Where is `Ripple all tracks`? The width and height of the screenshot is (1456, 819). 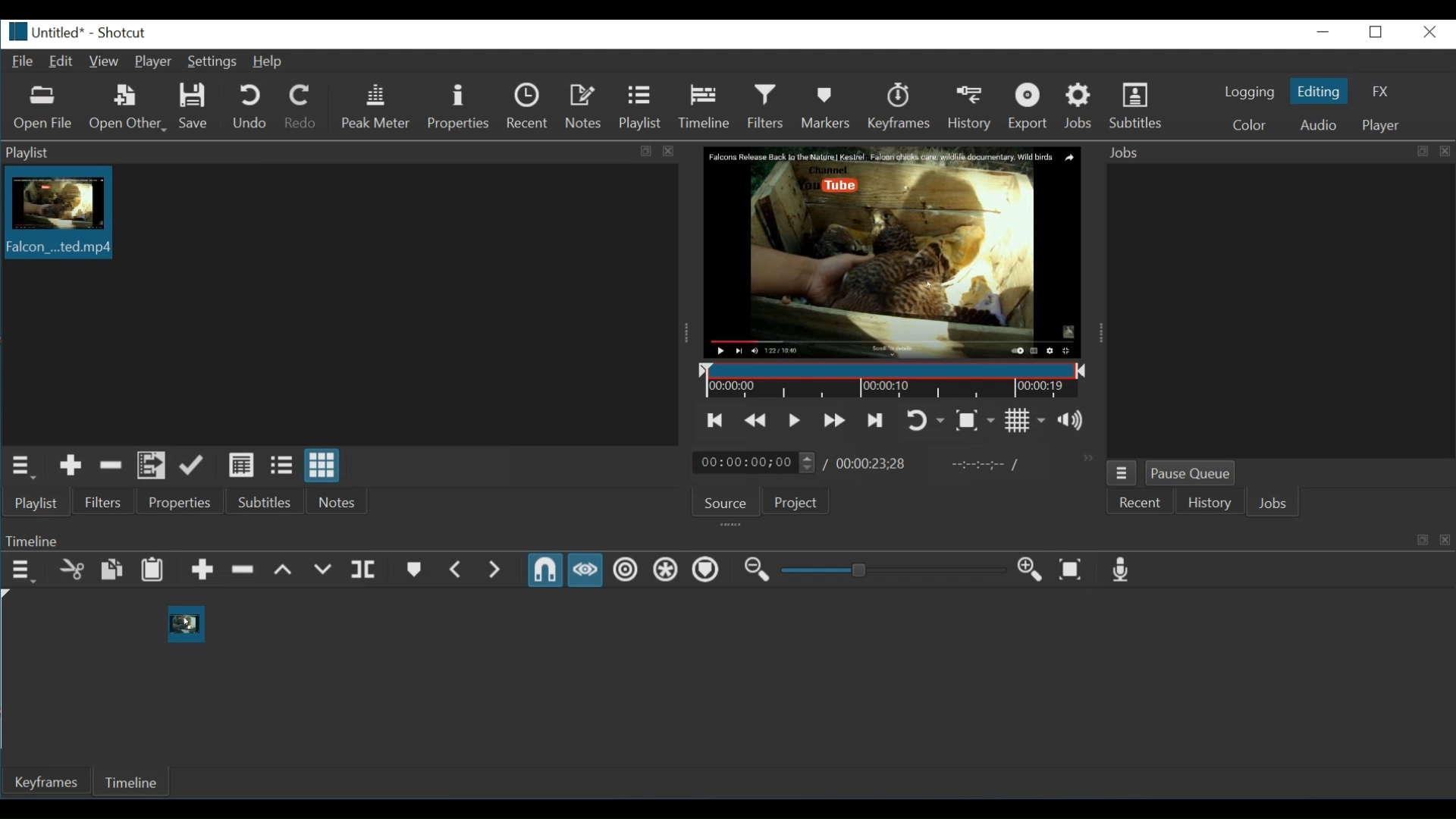
Ripple all tracks is located at coordinates (663, 569).